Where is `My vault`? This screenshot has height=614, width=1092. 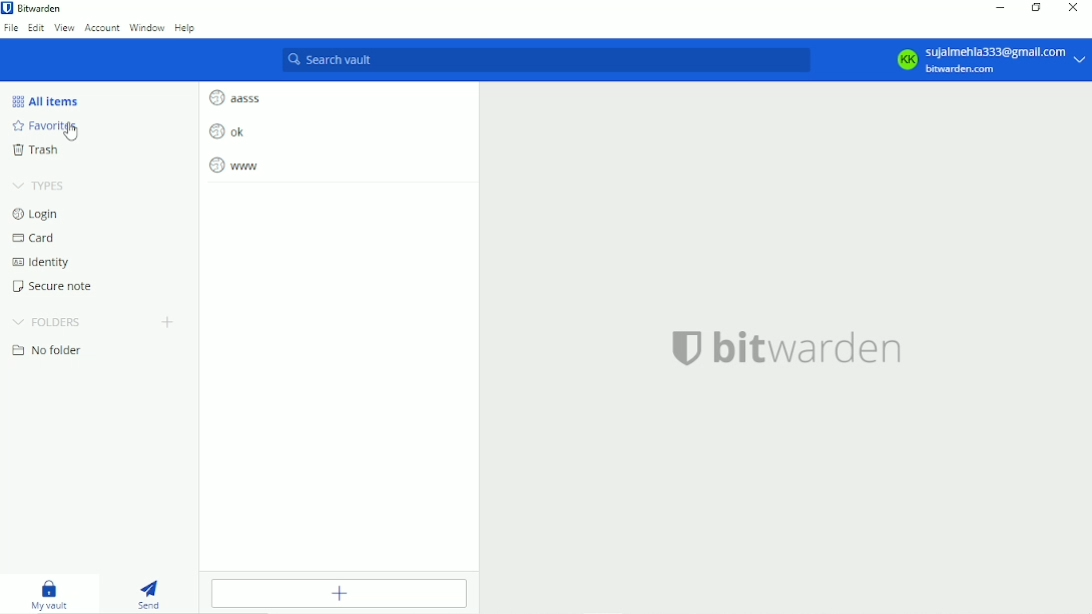
My vault is located at coordinates (52, 591).